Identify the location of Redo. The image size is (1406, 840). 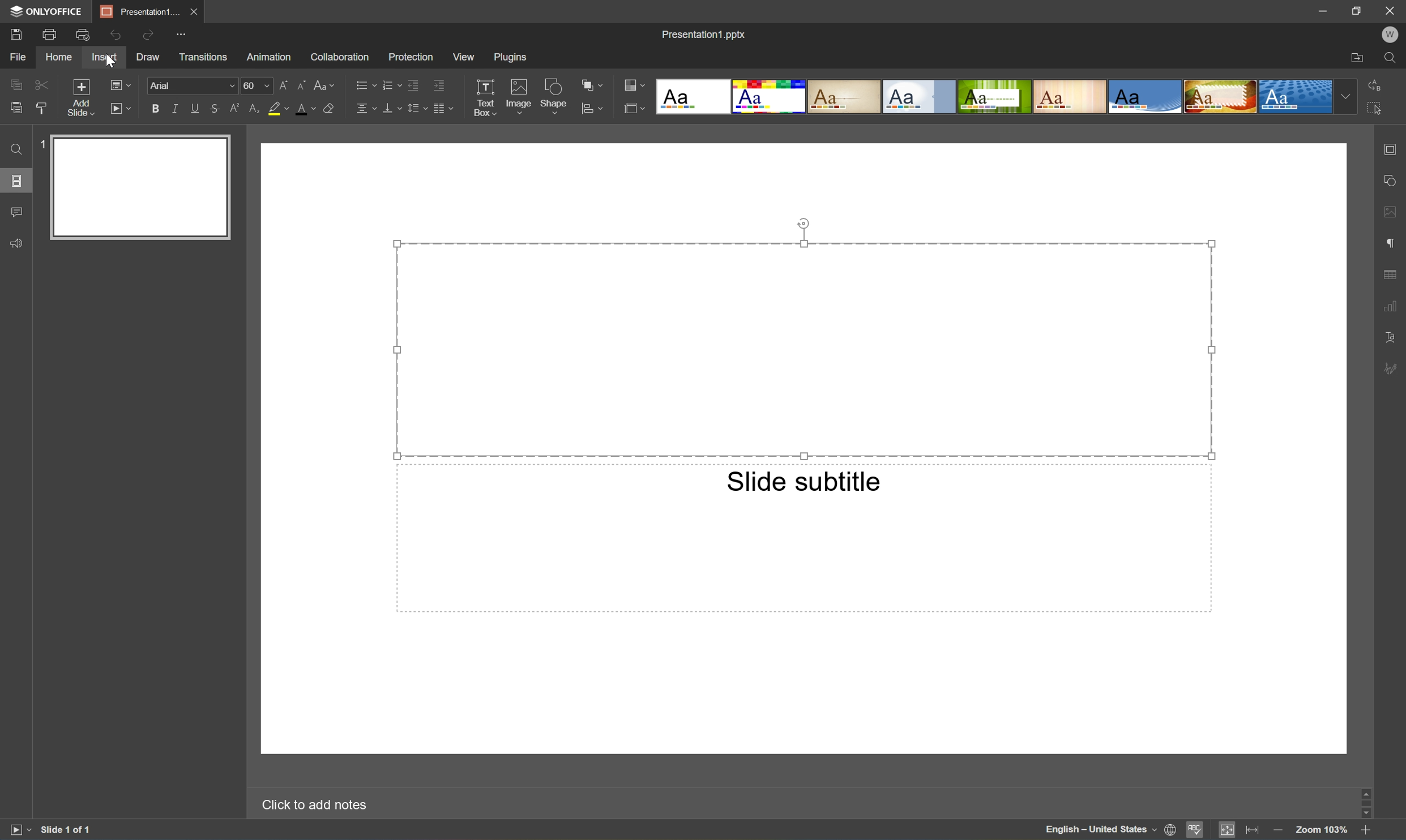
(146, 36).